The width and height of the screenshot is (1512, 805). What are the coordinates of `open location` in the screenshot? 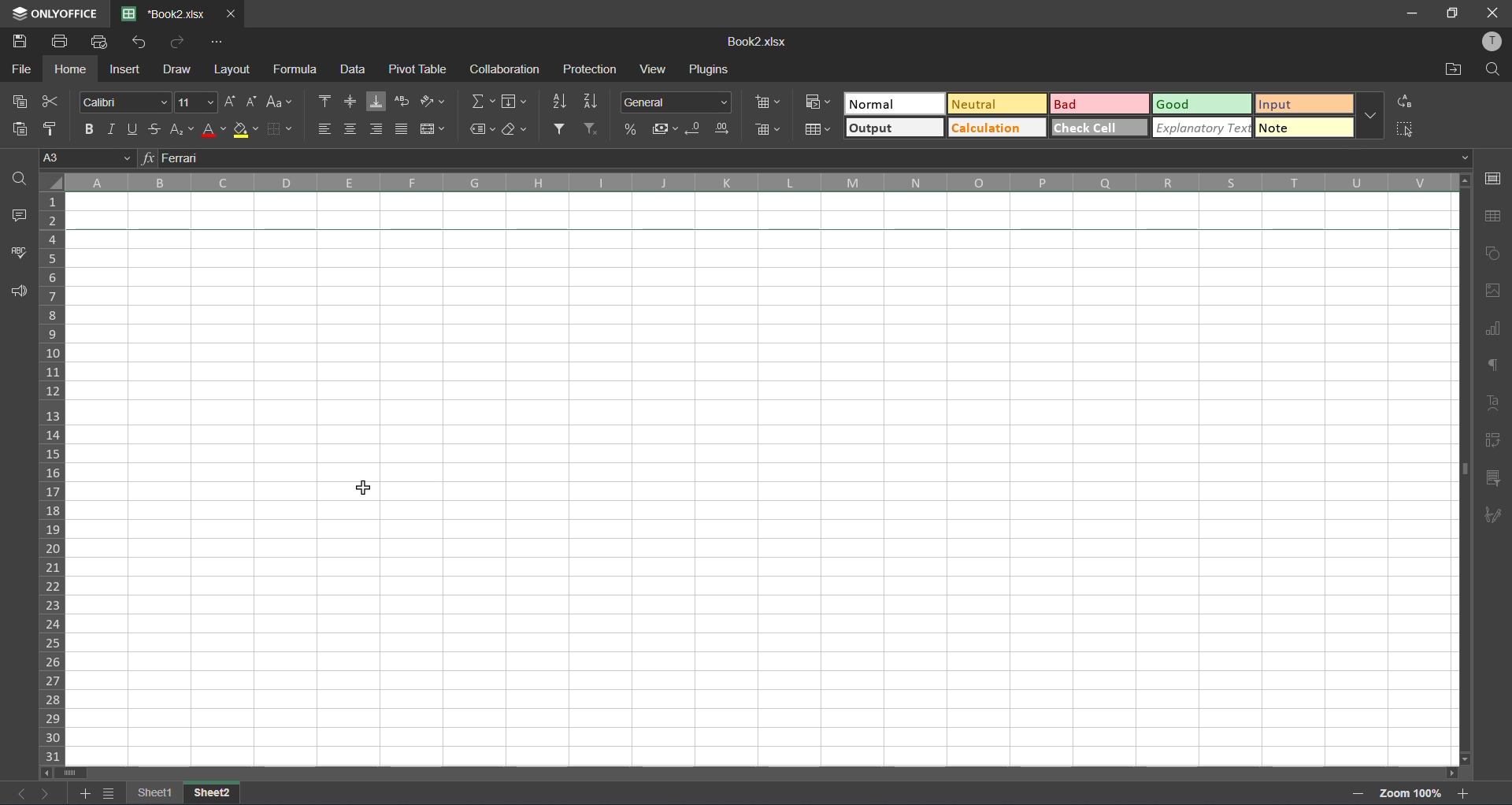 It's located at (1453, 69).